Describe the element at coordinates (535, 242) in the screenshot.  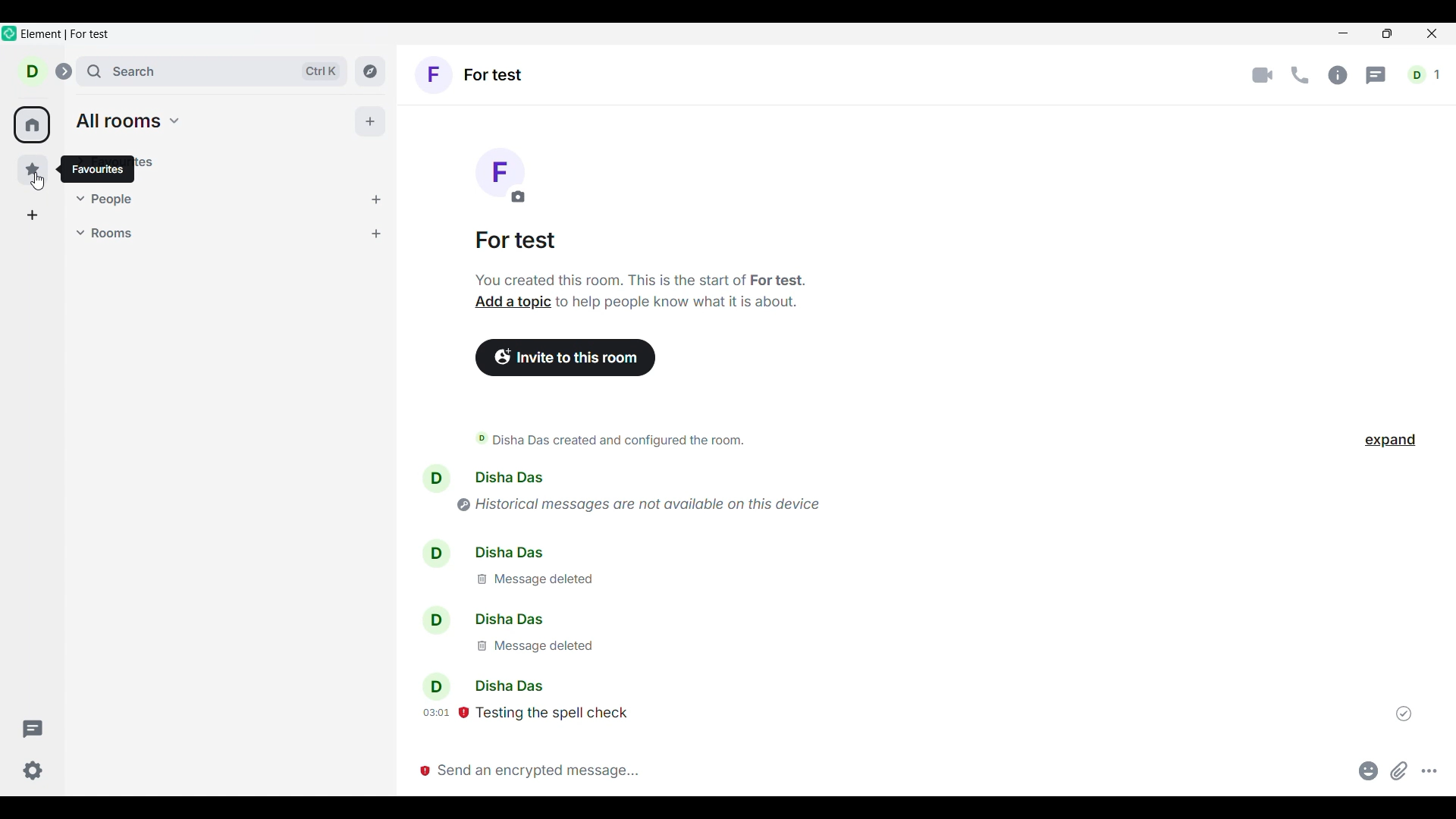
I see `Room name-for test` at that location.